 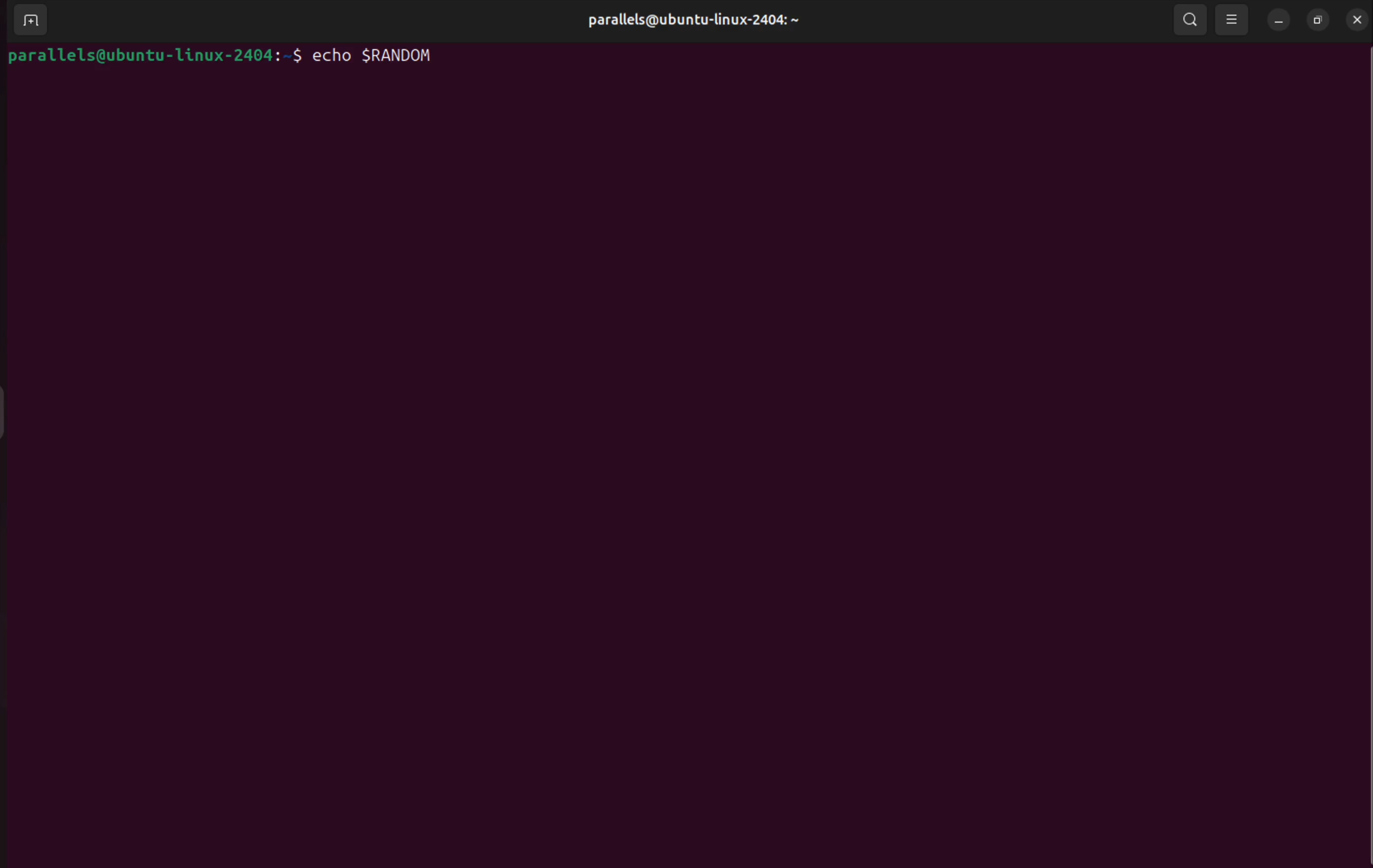 I want to click on minimize, so click(x=1278, y=22).